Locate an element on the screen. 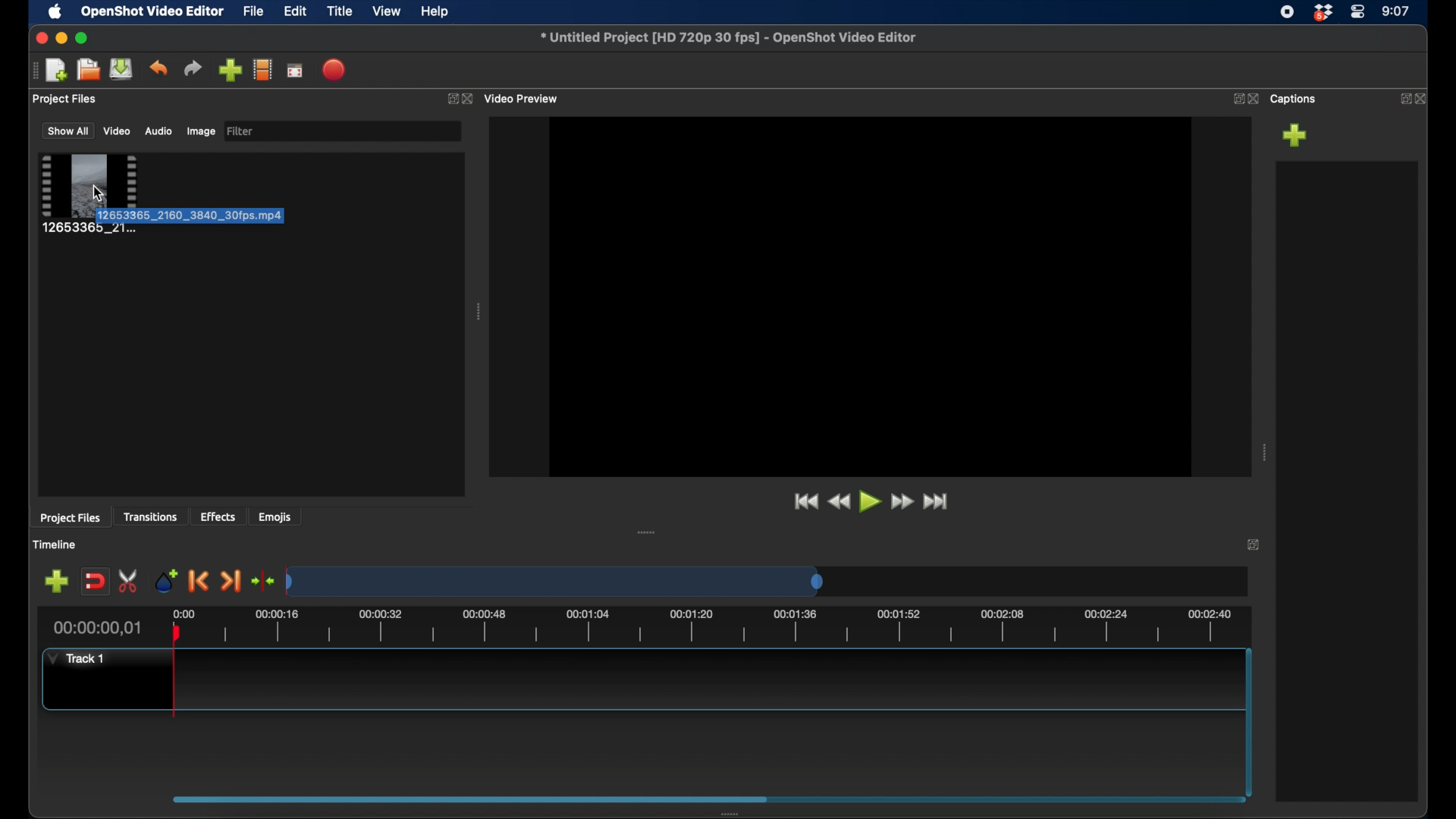  cursor is located at coordinates (102, 193).